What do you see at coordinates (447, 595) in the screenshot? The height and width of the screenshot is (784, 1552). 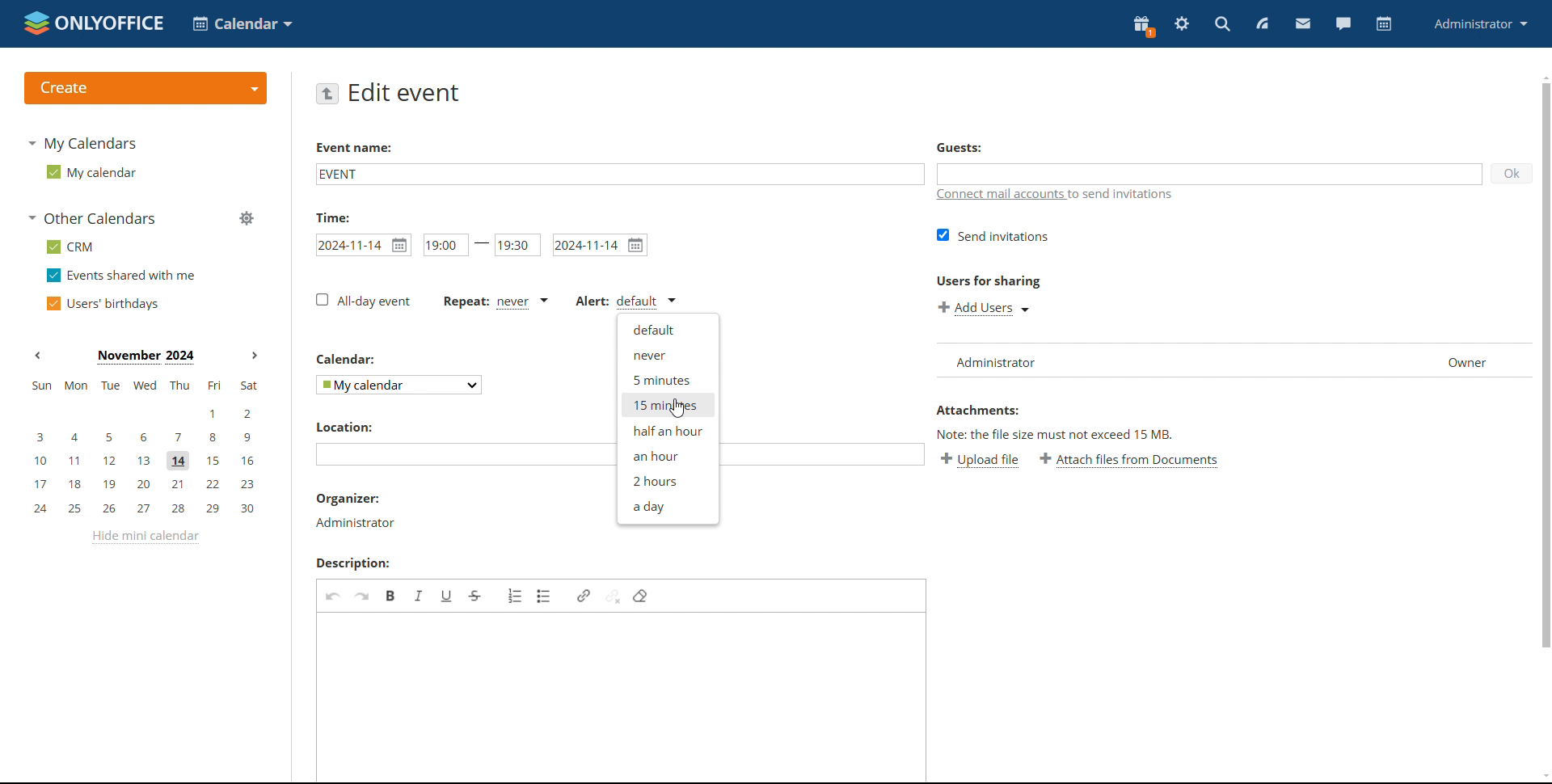 I see `underline` at bounding box center [447, 595].